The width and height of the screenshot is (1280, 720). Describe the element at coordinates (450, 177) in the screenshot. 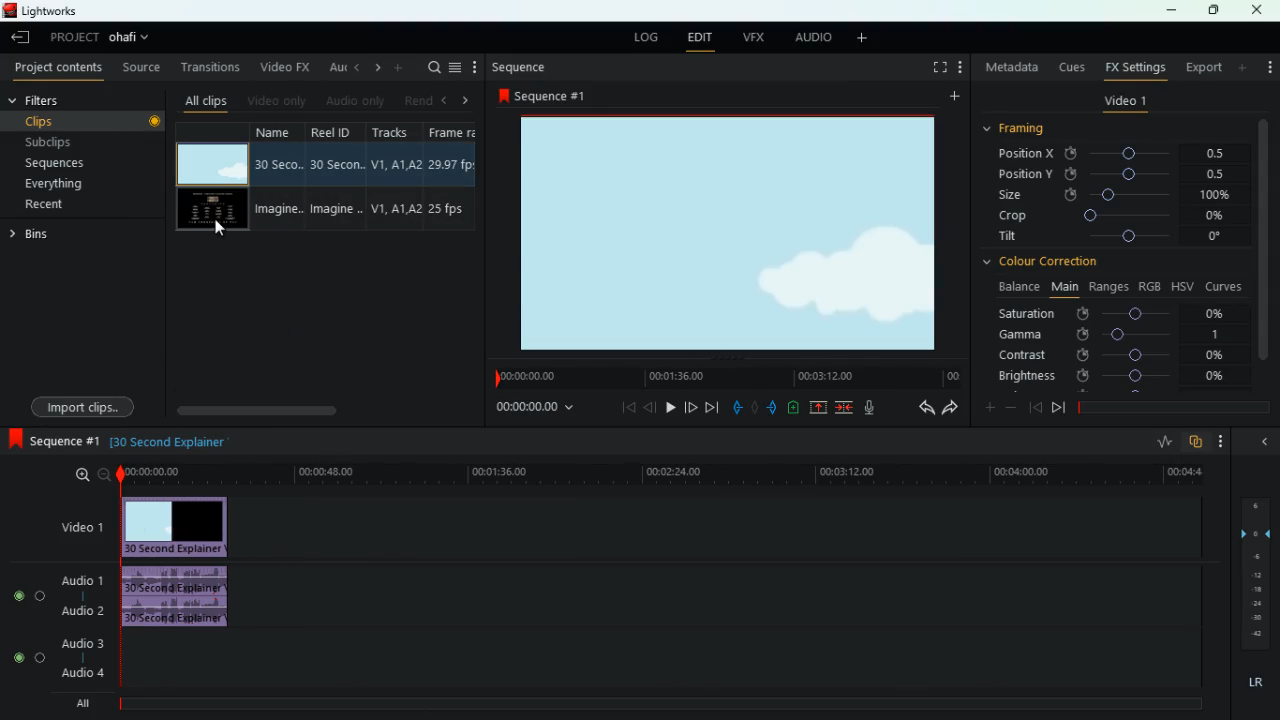

I see `frame` at that location.